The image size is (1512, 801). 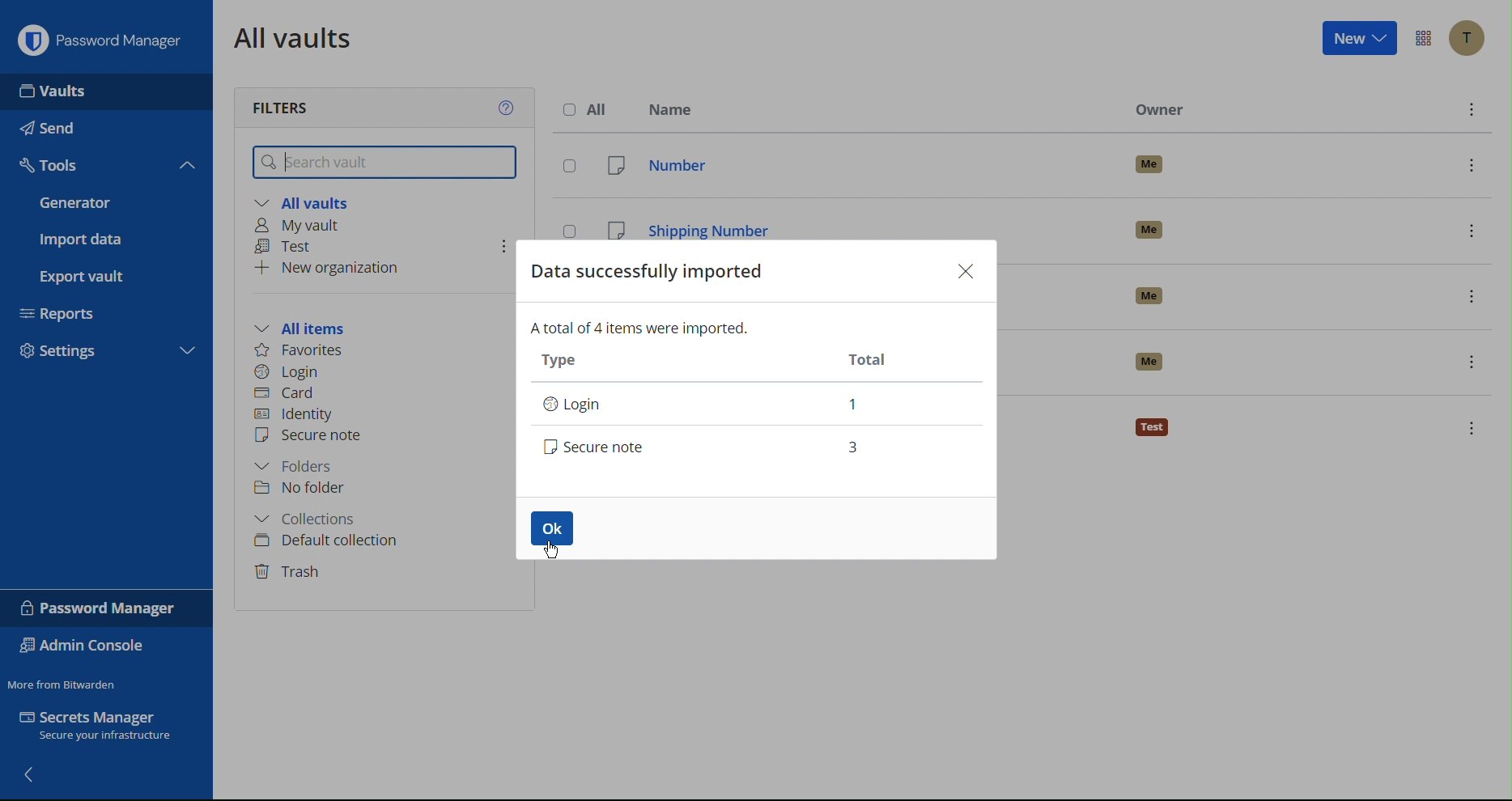 What do you see at coordinates (308, 518) in the screenshot?
I see `Collections` at bounding box center [308, 518].